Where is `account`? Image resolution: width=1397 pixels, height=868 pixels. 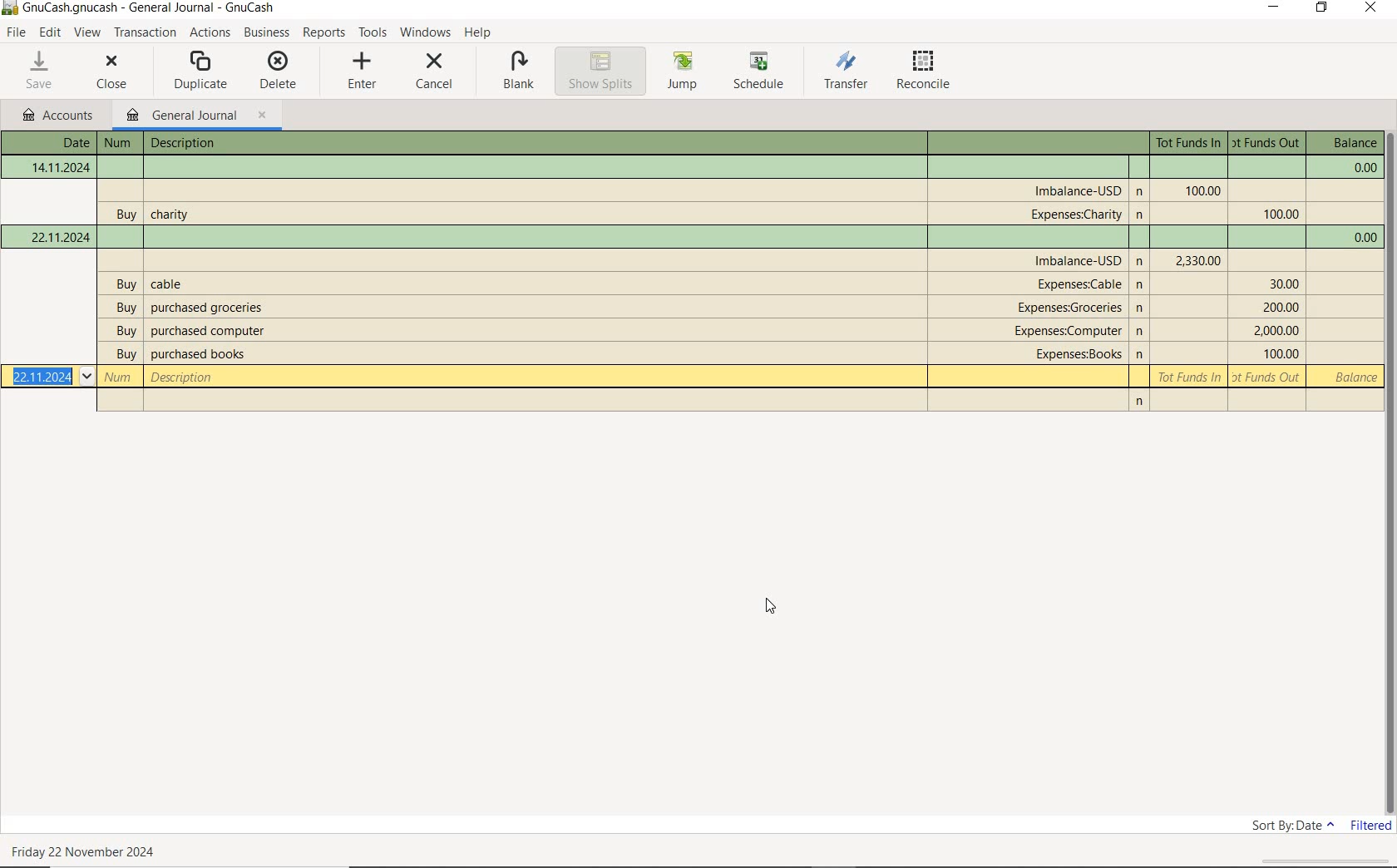
account is located at coordinates (1078, 189).